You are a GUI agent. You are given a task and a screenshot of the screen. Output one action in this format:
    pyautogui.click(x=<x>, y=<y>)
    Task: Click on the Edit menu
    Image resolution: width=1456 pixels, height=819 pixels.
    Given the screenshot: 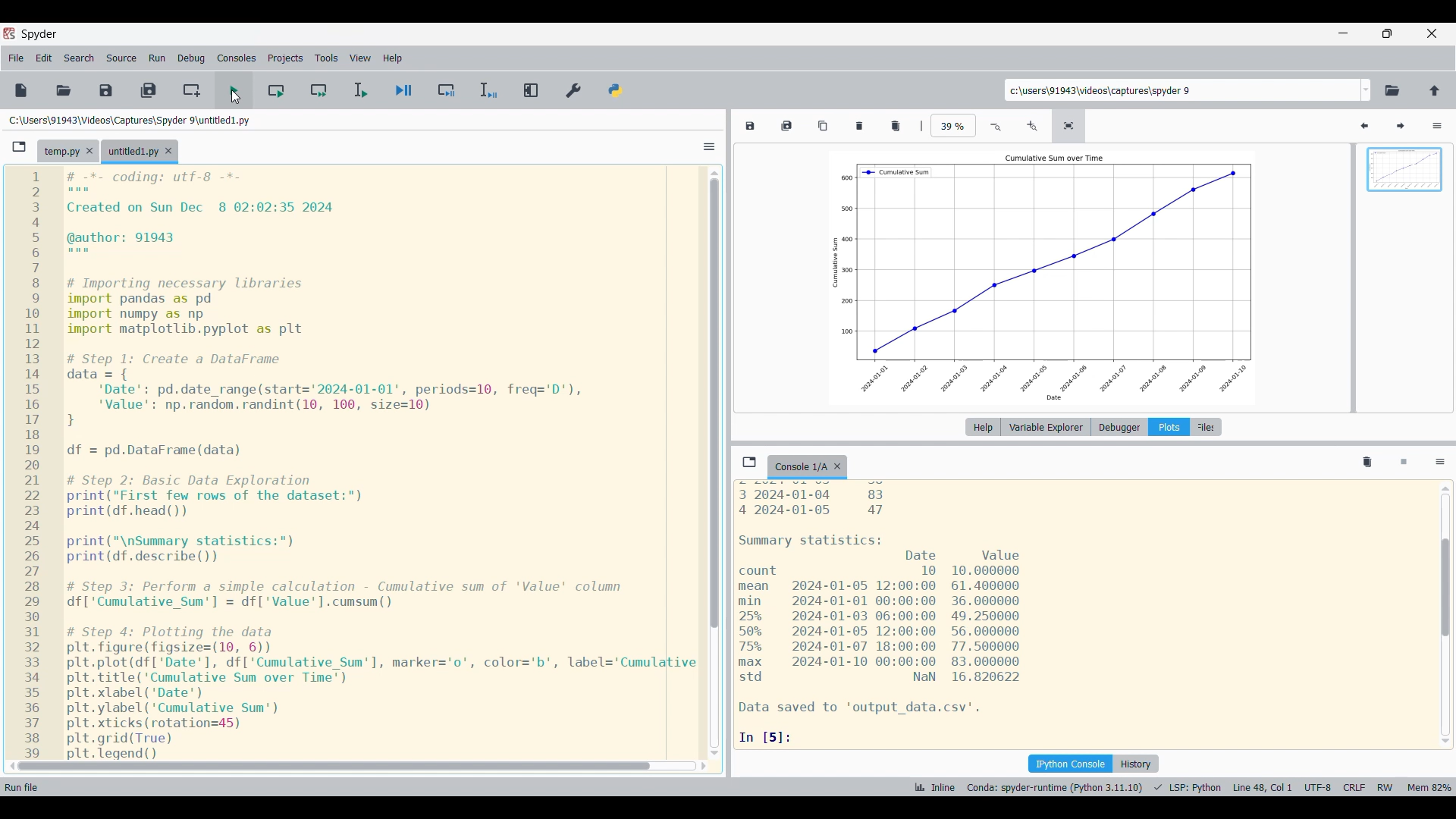 What is the action you would take?
    pyautogui.click(x=45, y=58)
    